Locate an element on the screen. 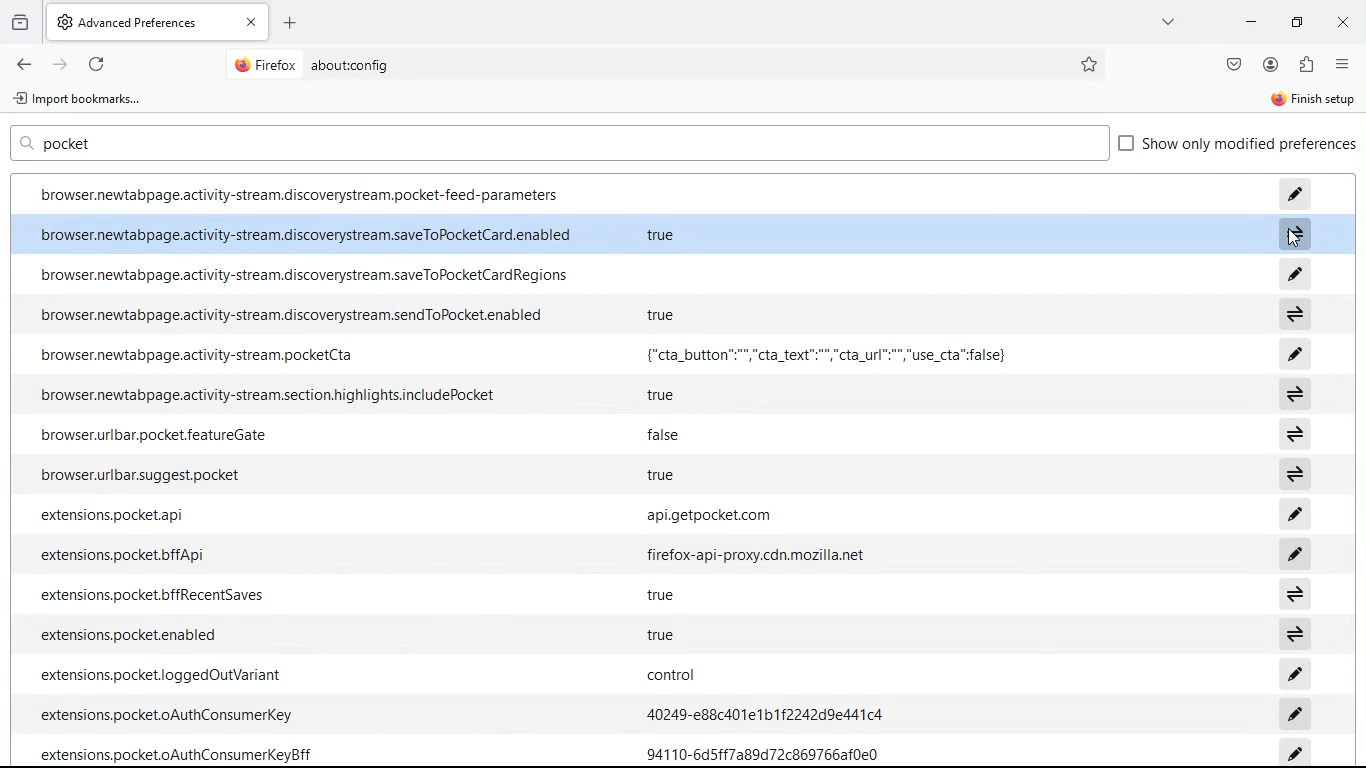 The image size is (1366, 768). show preferences is located at coordinates (1237, 146).